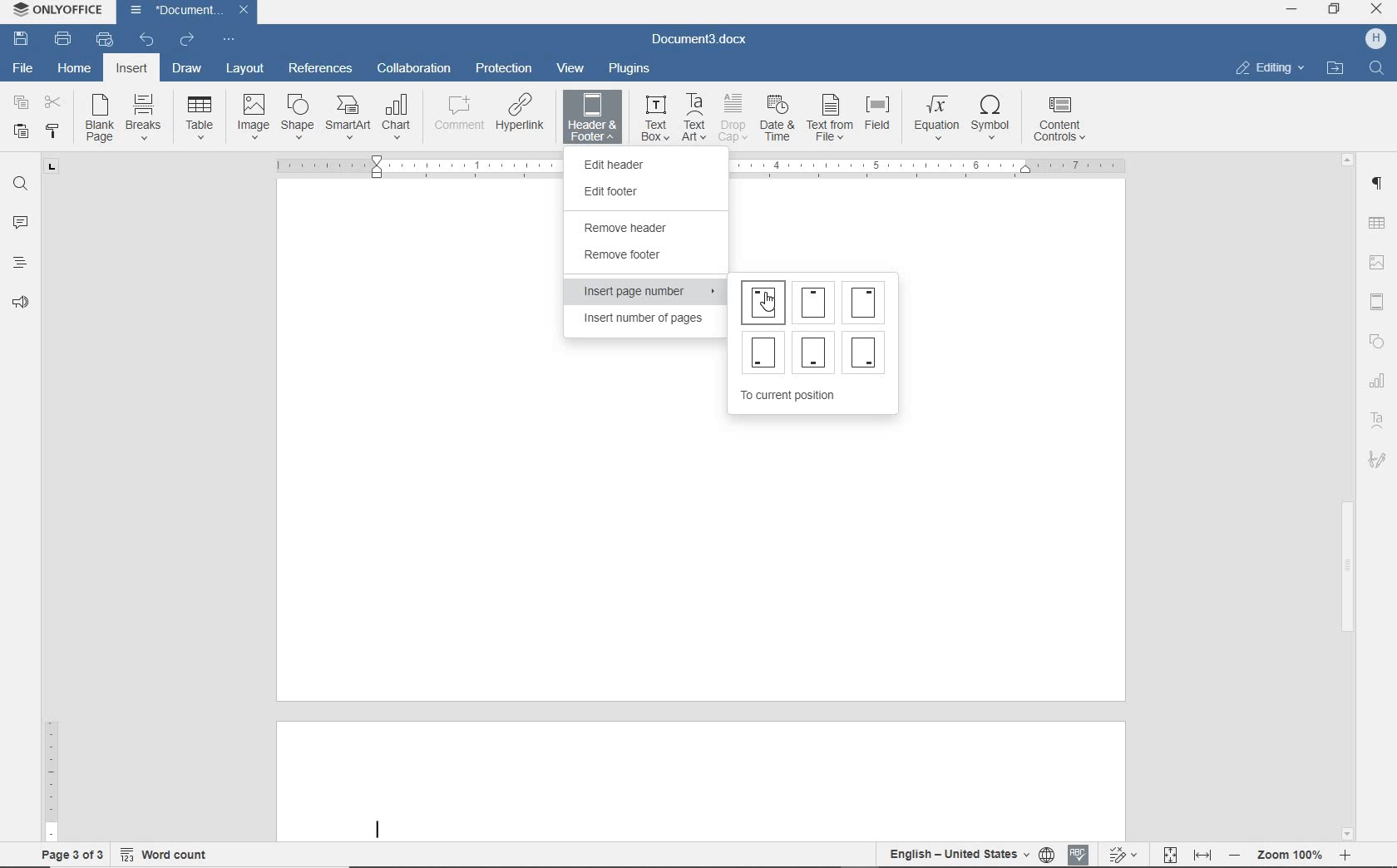 The height and width of the screenshot is (868, 1397). What do you see at coordinates (25, 70) in the screenshot?
I see `FILE` at bounding box center [25, 70].